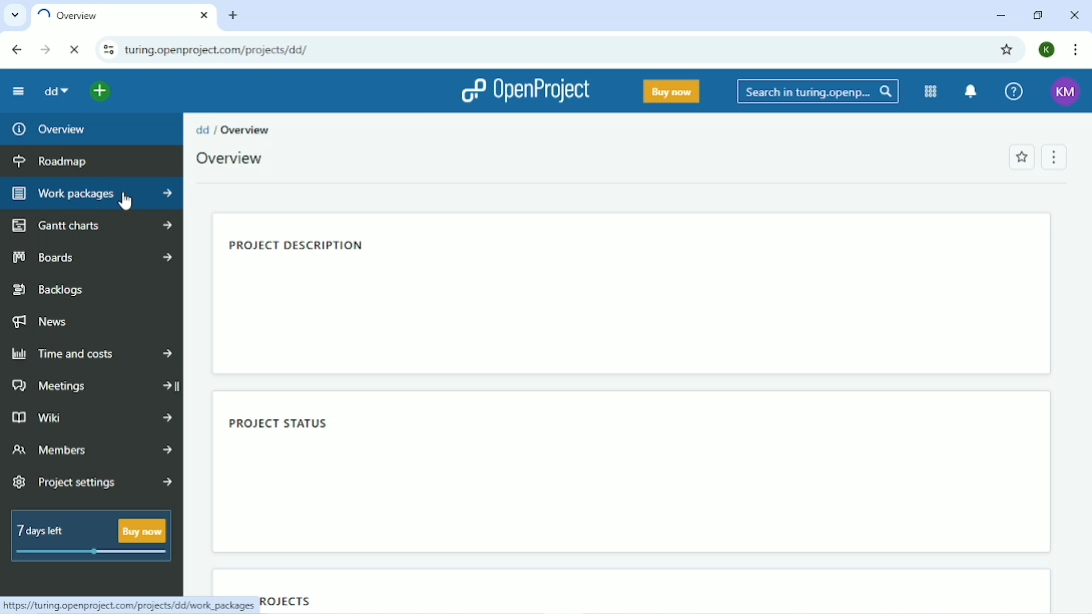 The height and width of the screenshot is (614, 1092). What do you see at coordinates (670, 91) in the screenshot?
I see `Buy now` at bounding box center [670, 91].